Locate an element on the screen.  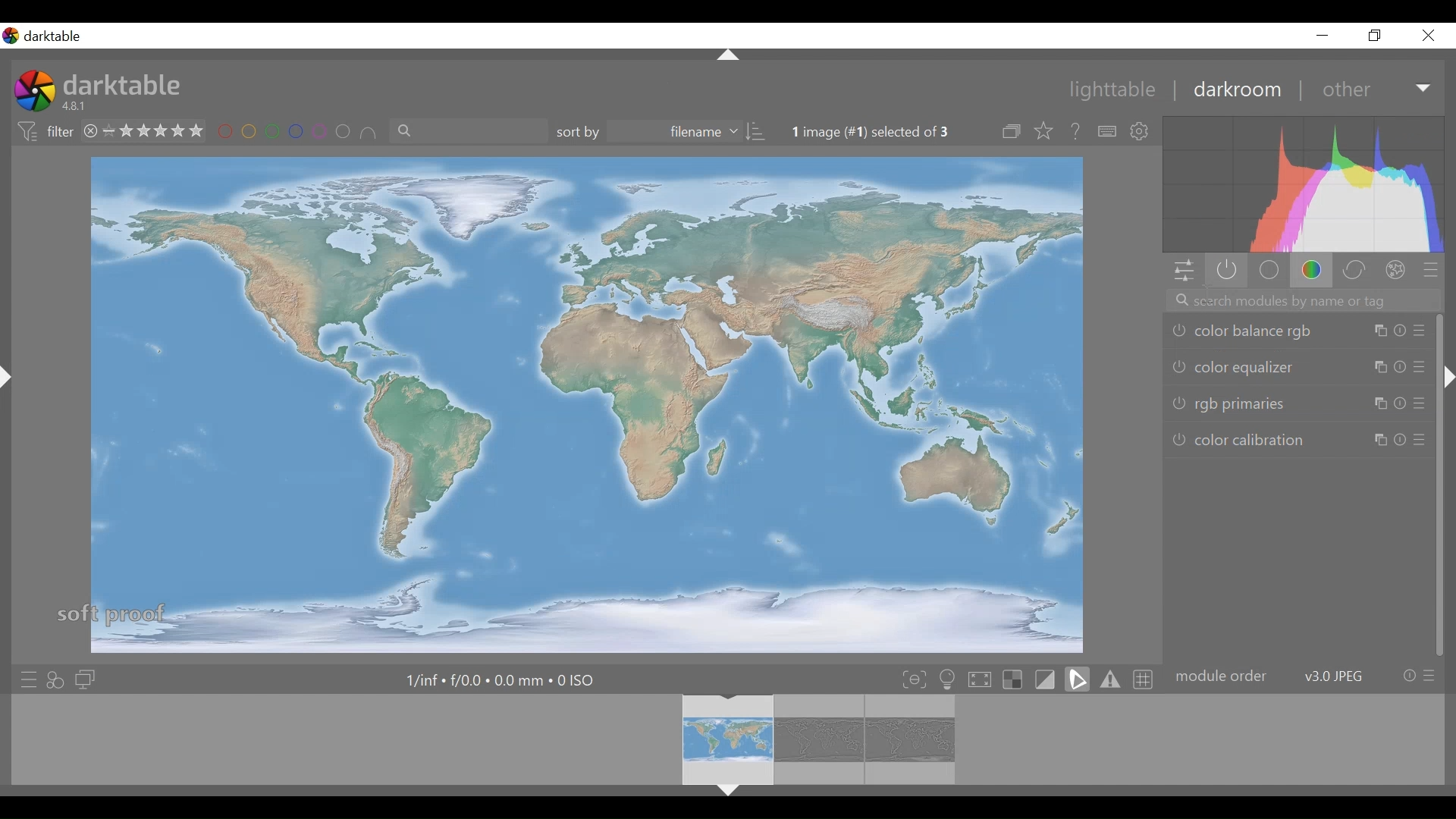
toggle display indication is located at coordinates (1047, 679).